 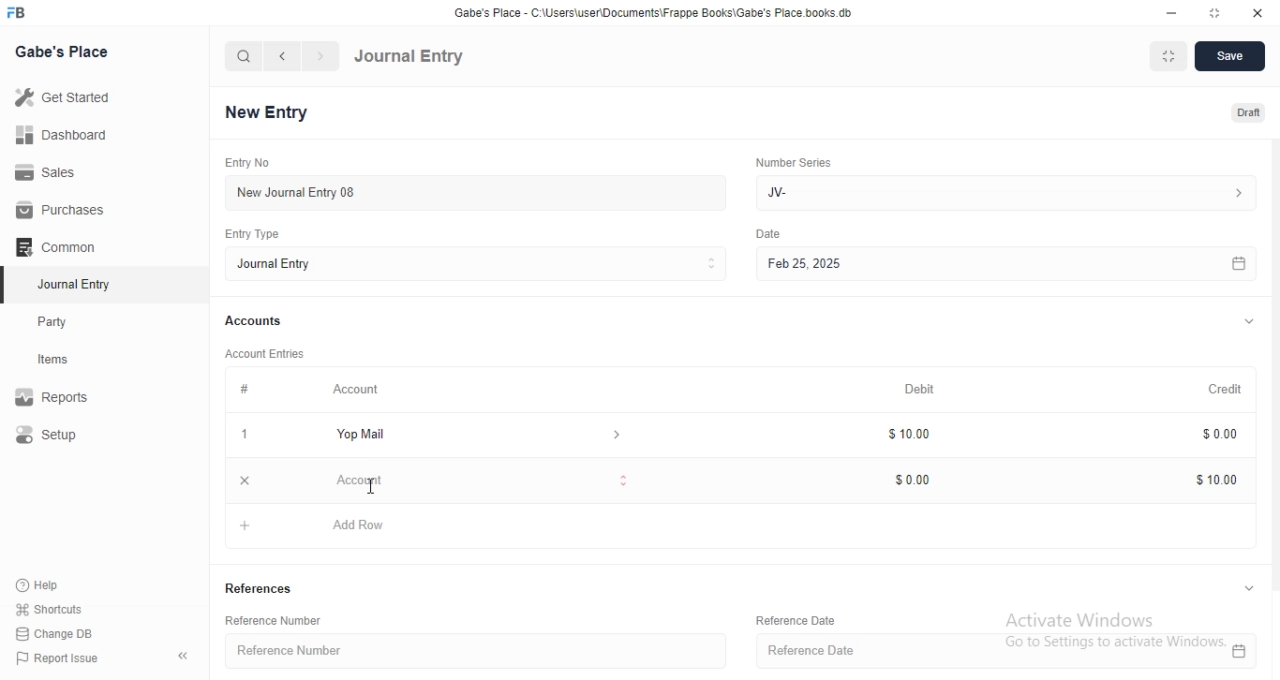 I want to click on FB, so click(x=18, y=13).